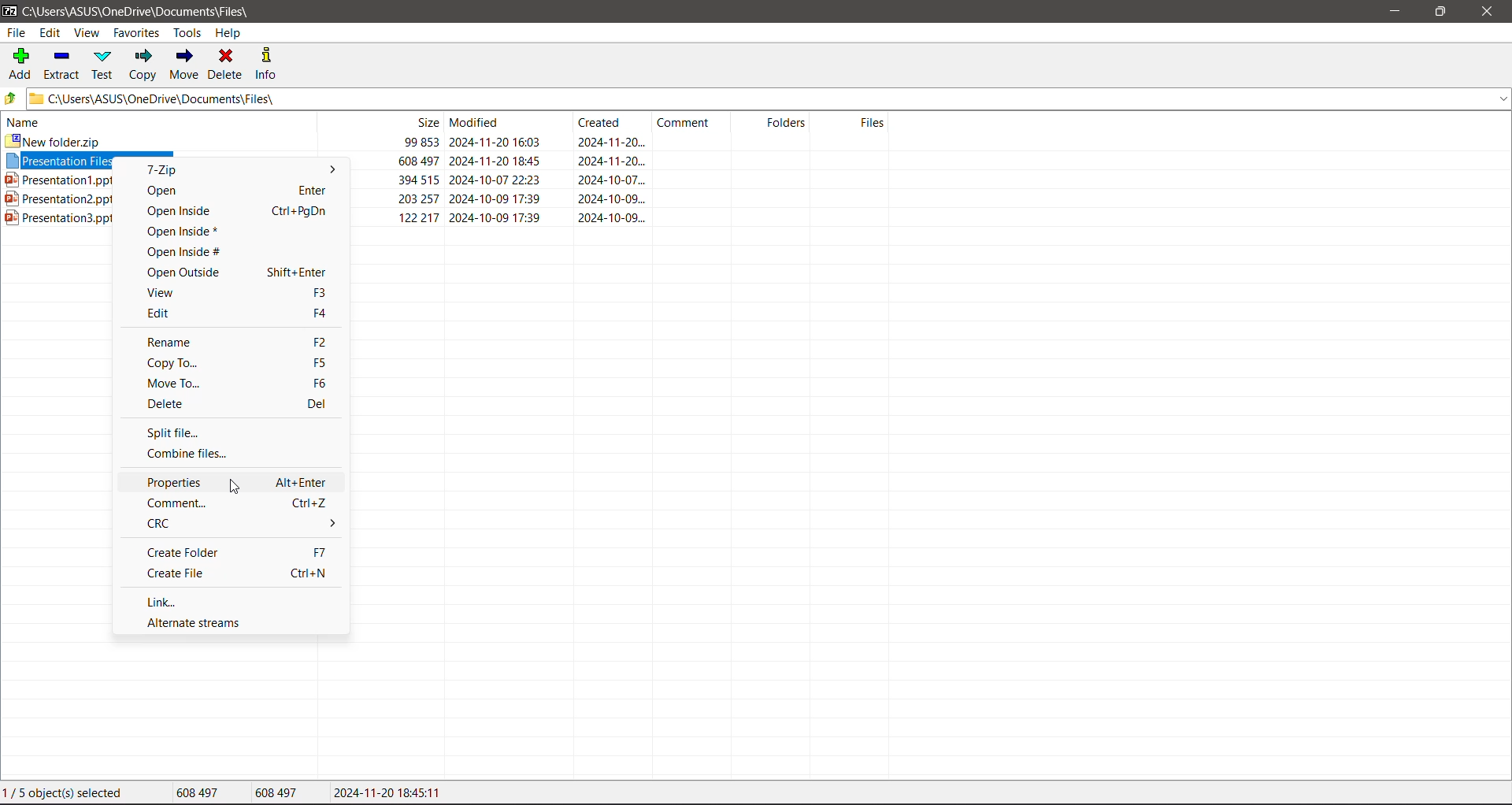 The width and height of the screenshot is (1512, 805). What do you see at coordinates (173, 526) in the screenshot?
I see `CRC` at bounding box center [173, 526].